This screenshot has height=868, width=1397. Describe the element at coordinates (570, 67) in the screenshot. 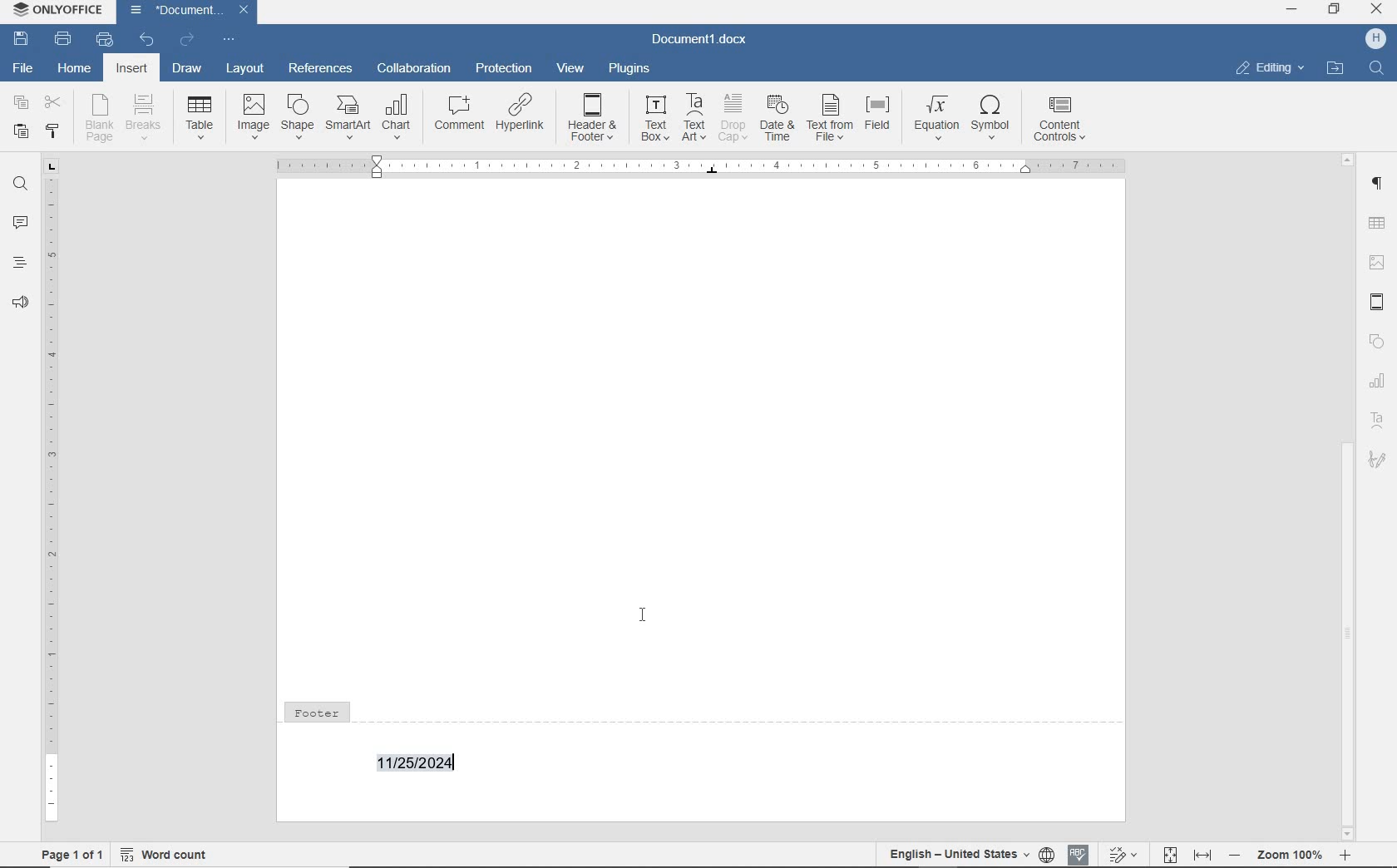

I see `view` at that location.